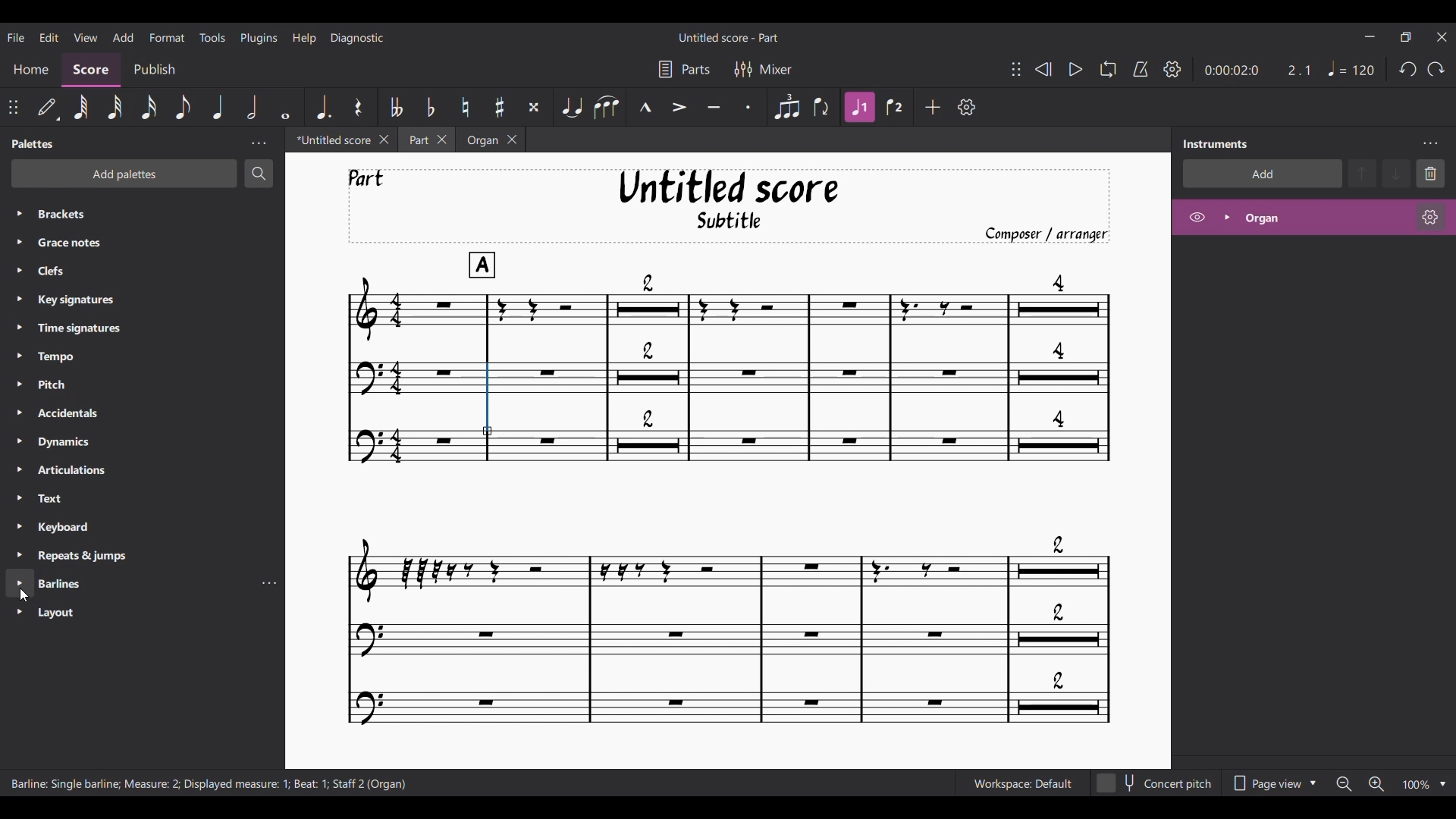 This screenshot has width=1456, height=819. Describe the element at coordinates (86, 36) in the screenshot. I see `View menu` at that location.